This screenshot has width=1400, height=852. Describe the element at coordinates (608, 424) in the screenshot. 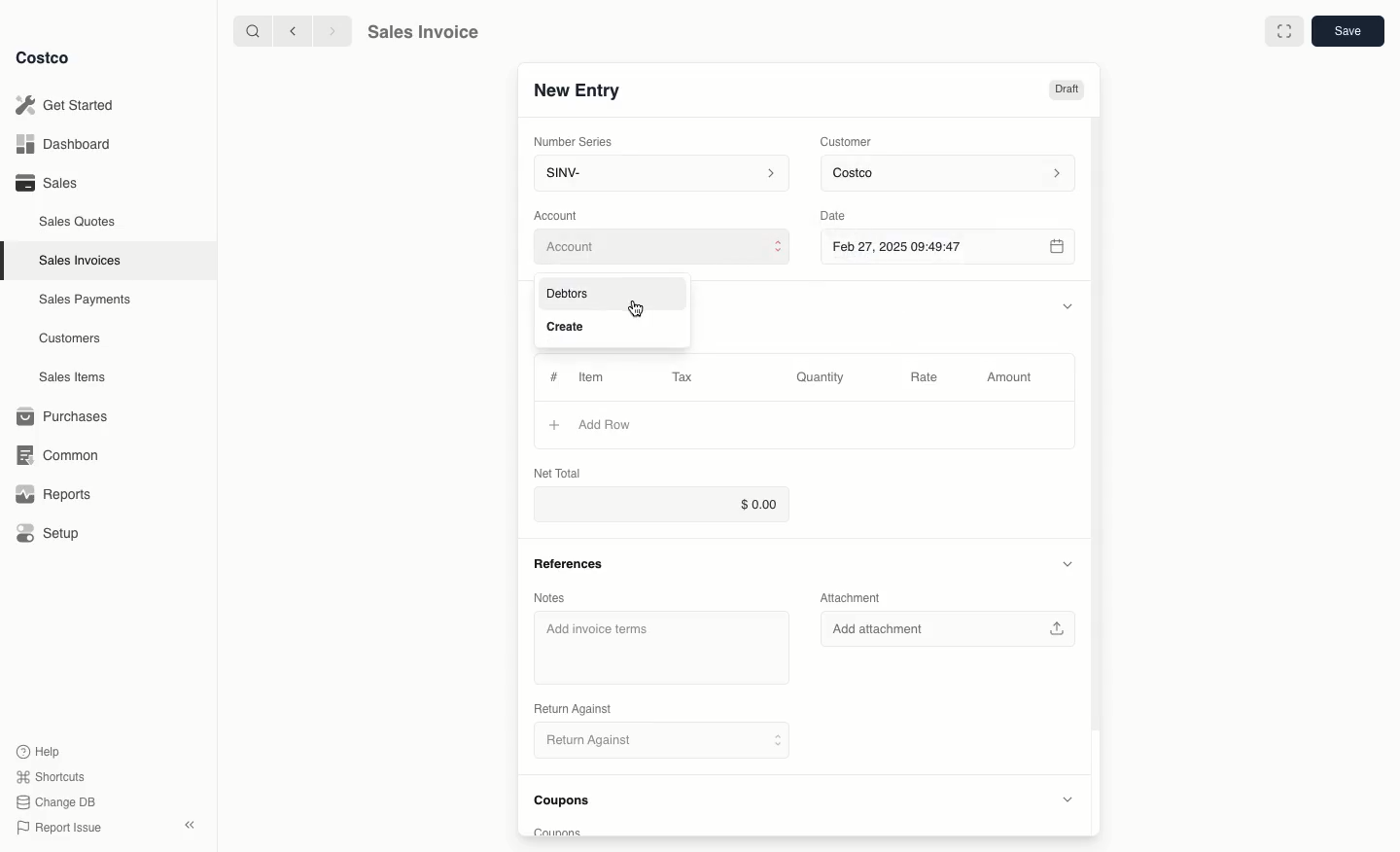

I see `‘Add Row` at that location.